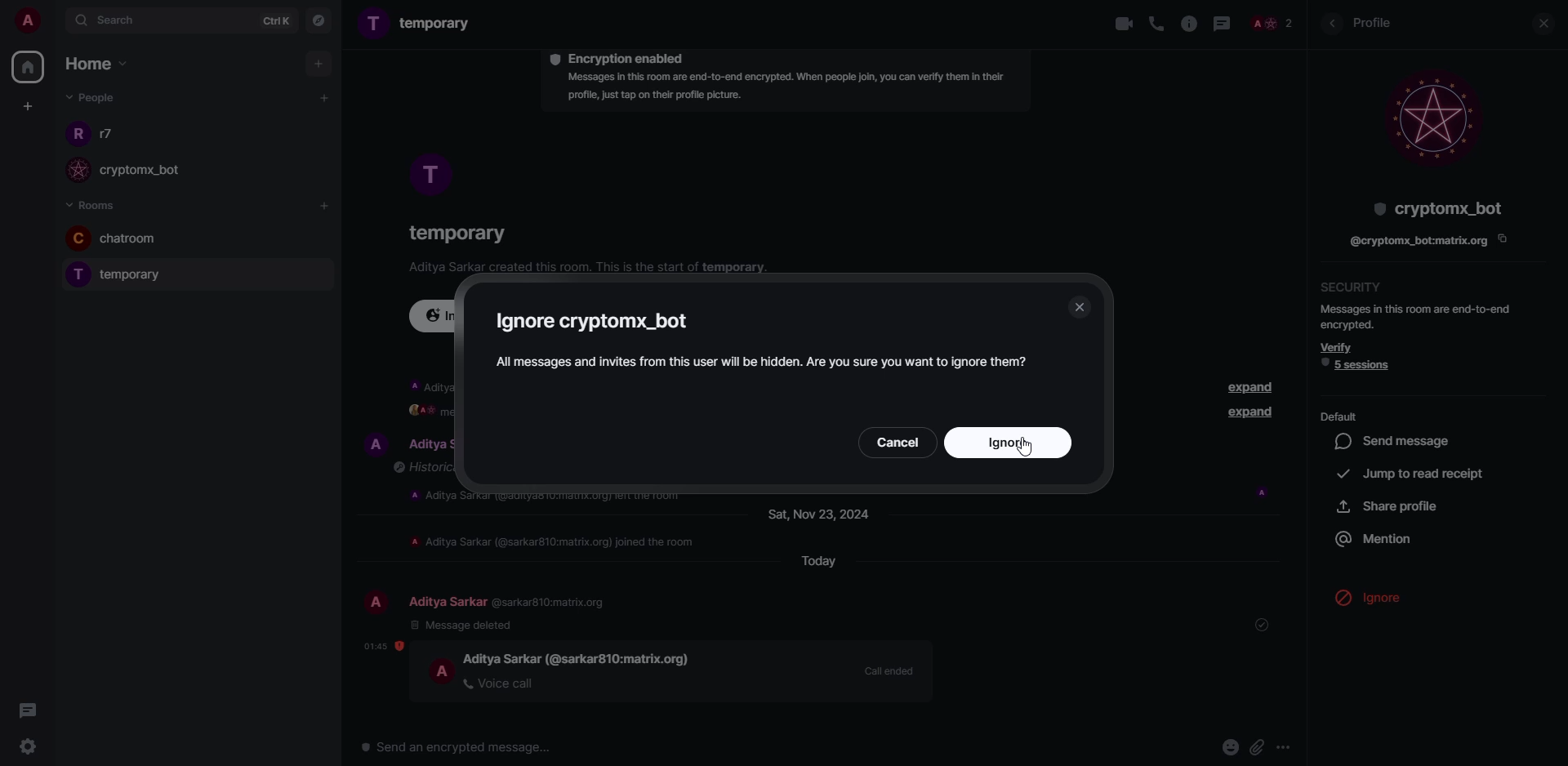 The width and height of the screenshot is (1568, 766). What do you see at coordinates (269, 20) in the screenshot?
I see `ctrlK` at bounding box center [269, 20].